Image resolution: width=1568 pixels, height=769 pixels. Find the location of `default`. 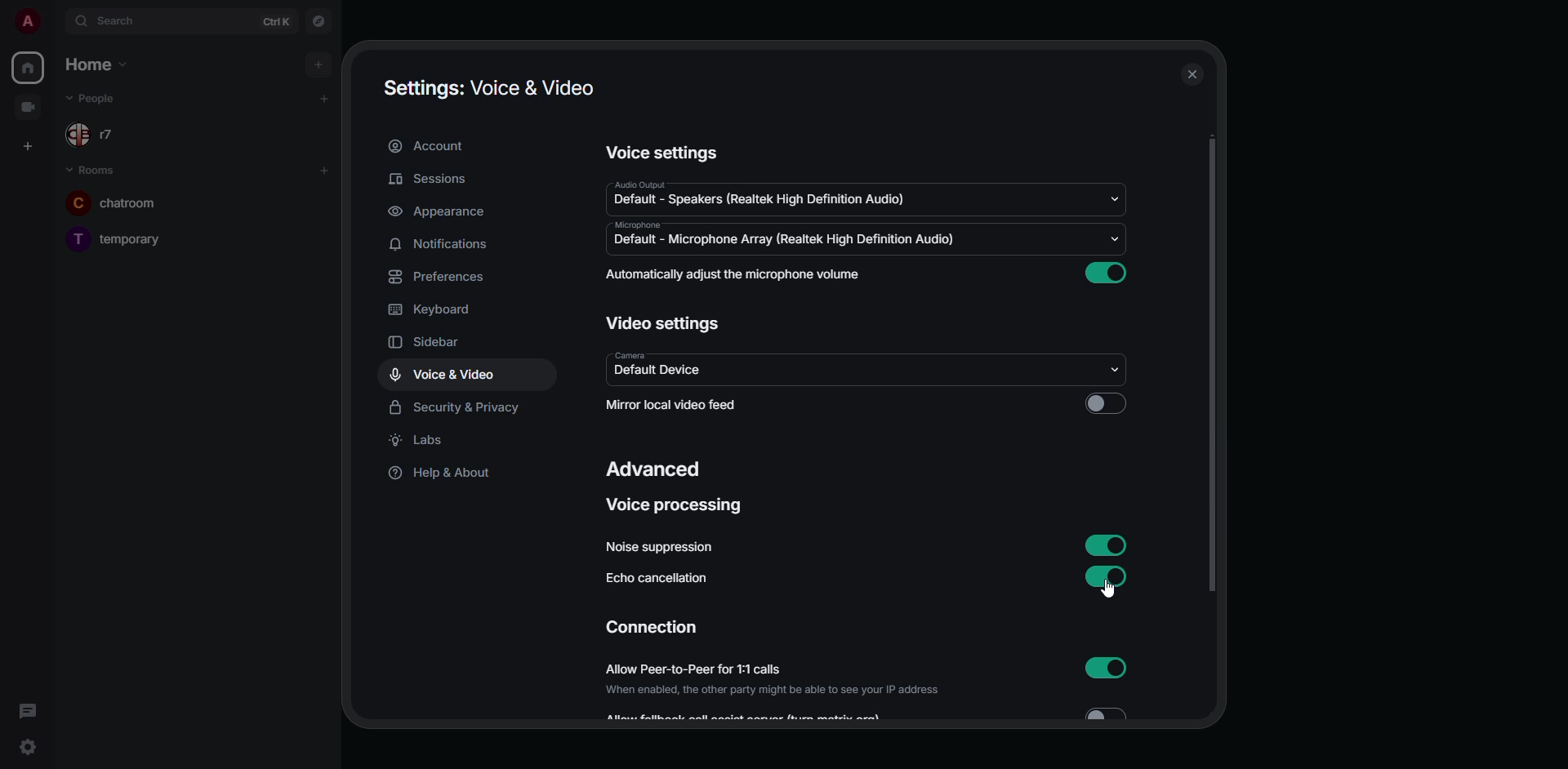

default is located at coordinates (760, 200).